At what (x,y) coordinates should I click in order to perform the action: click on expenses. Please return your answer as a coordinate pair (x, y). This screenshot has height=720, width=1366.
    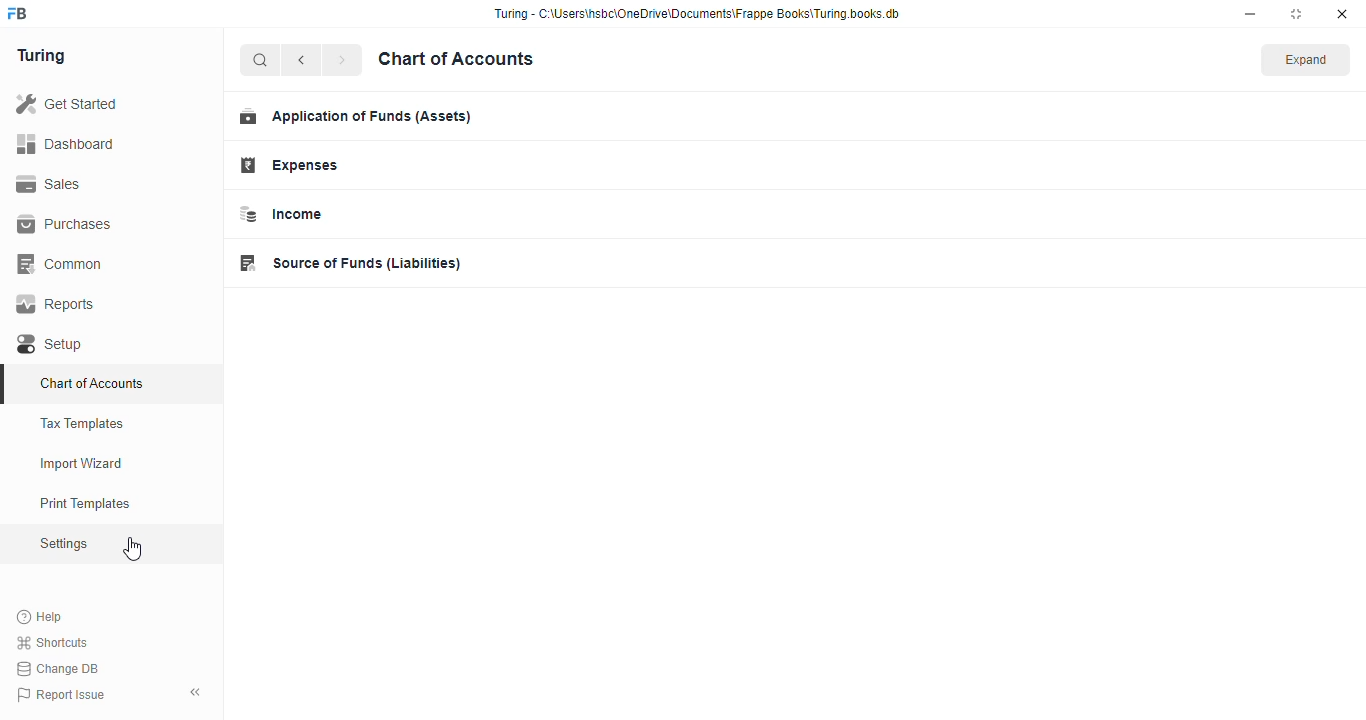
    Looking at the image, I should click on (291, 165).